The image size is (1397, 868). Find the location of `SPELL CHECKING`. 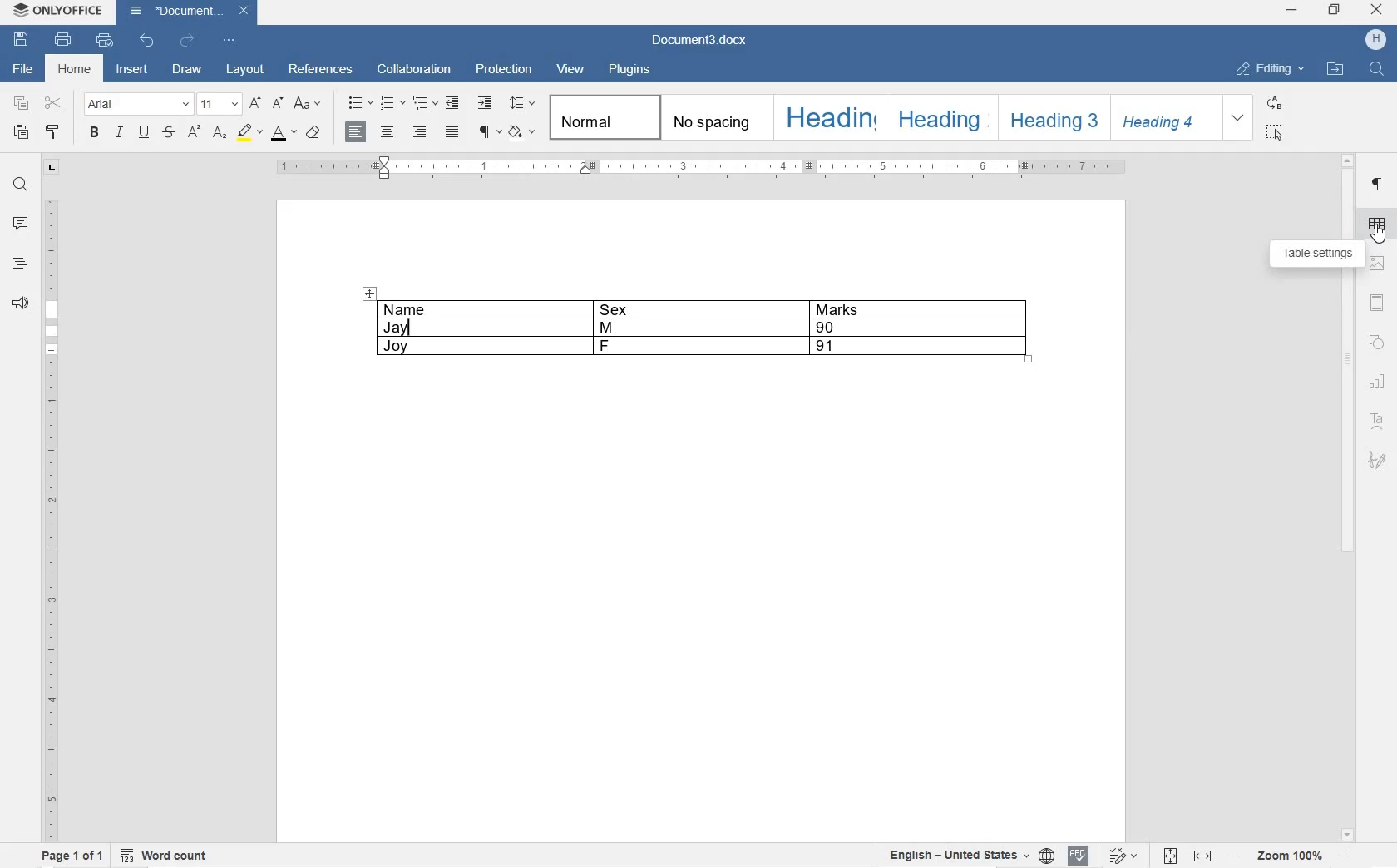

SPELL CHECKING is located at coordinates (1078, 856).